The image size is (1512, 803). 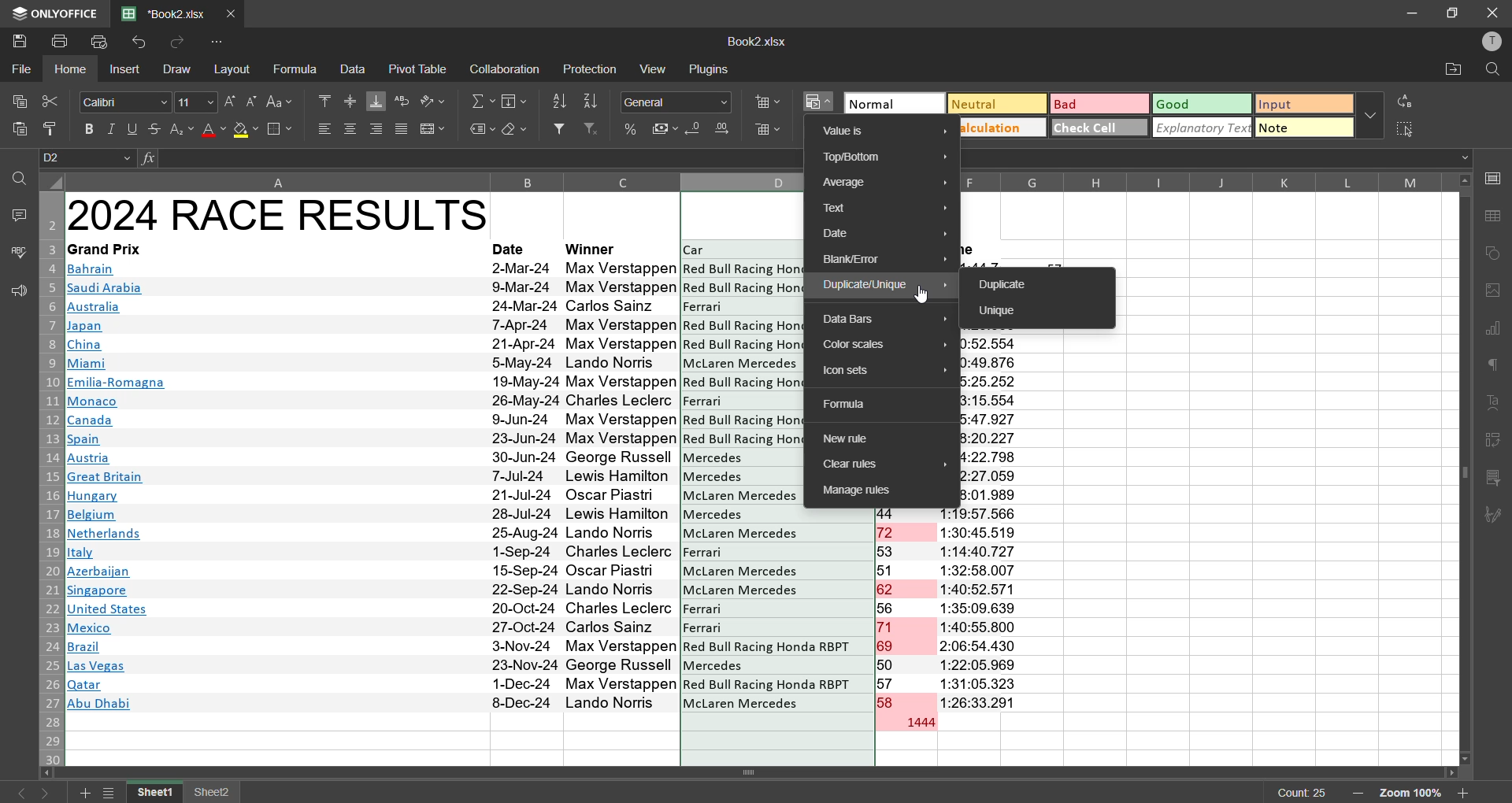 What do you see at coordinates (402, 102) in the screenshot?
I see `wrap text` at bounding box center [402, 102].